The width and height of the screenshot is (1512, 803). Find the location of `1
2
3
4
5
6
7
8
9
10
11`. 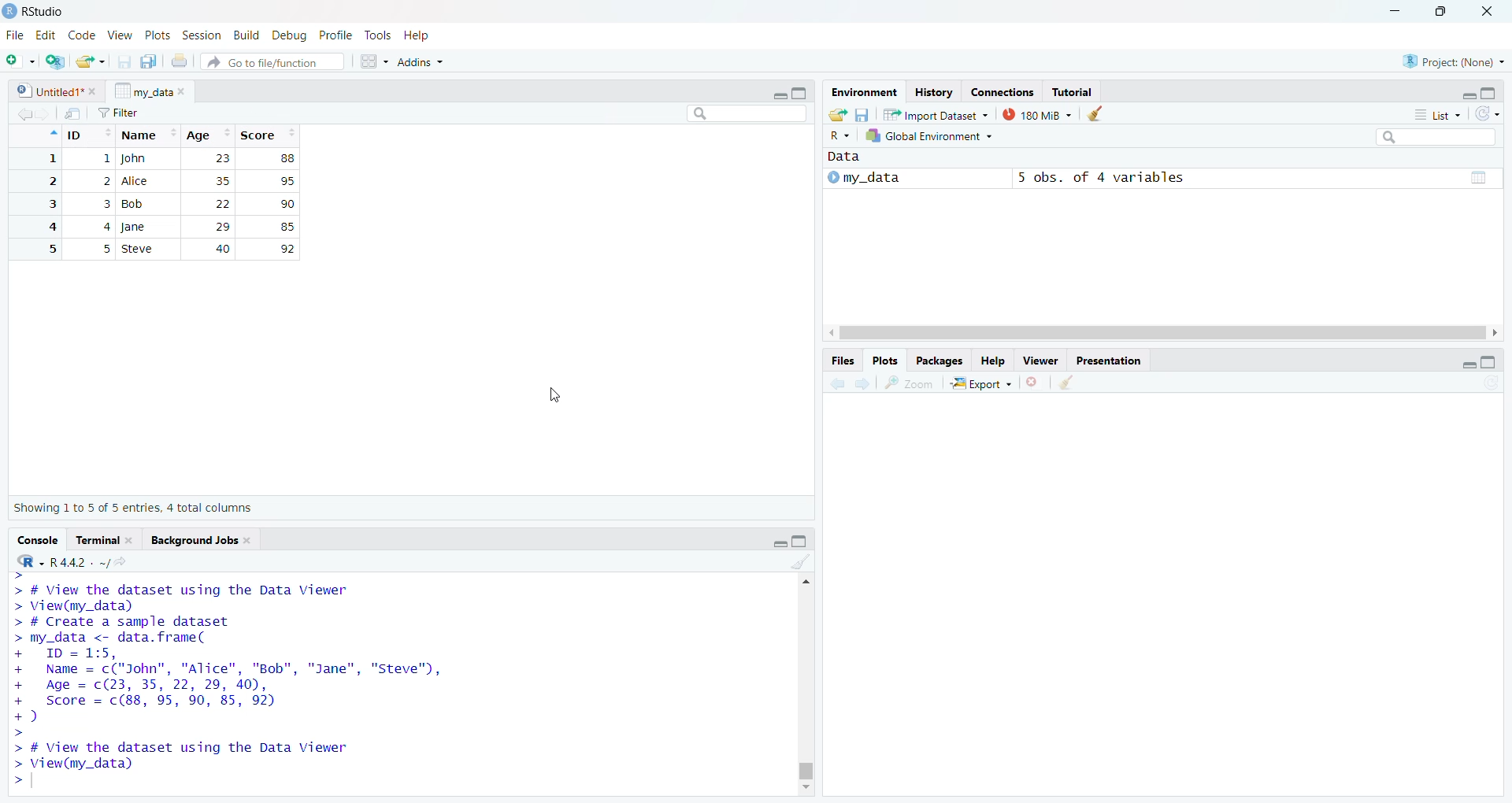

1
2
3
4
5
6
7
8
9
10
11 is located at coordinates (52, 196).